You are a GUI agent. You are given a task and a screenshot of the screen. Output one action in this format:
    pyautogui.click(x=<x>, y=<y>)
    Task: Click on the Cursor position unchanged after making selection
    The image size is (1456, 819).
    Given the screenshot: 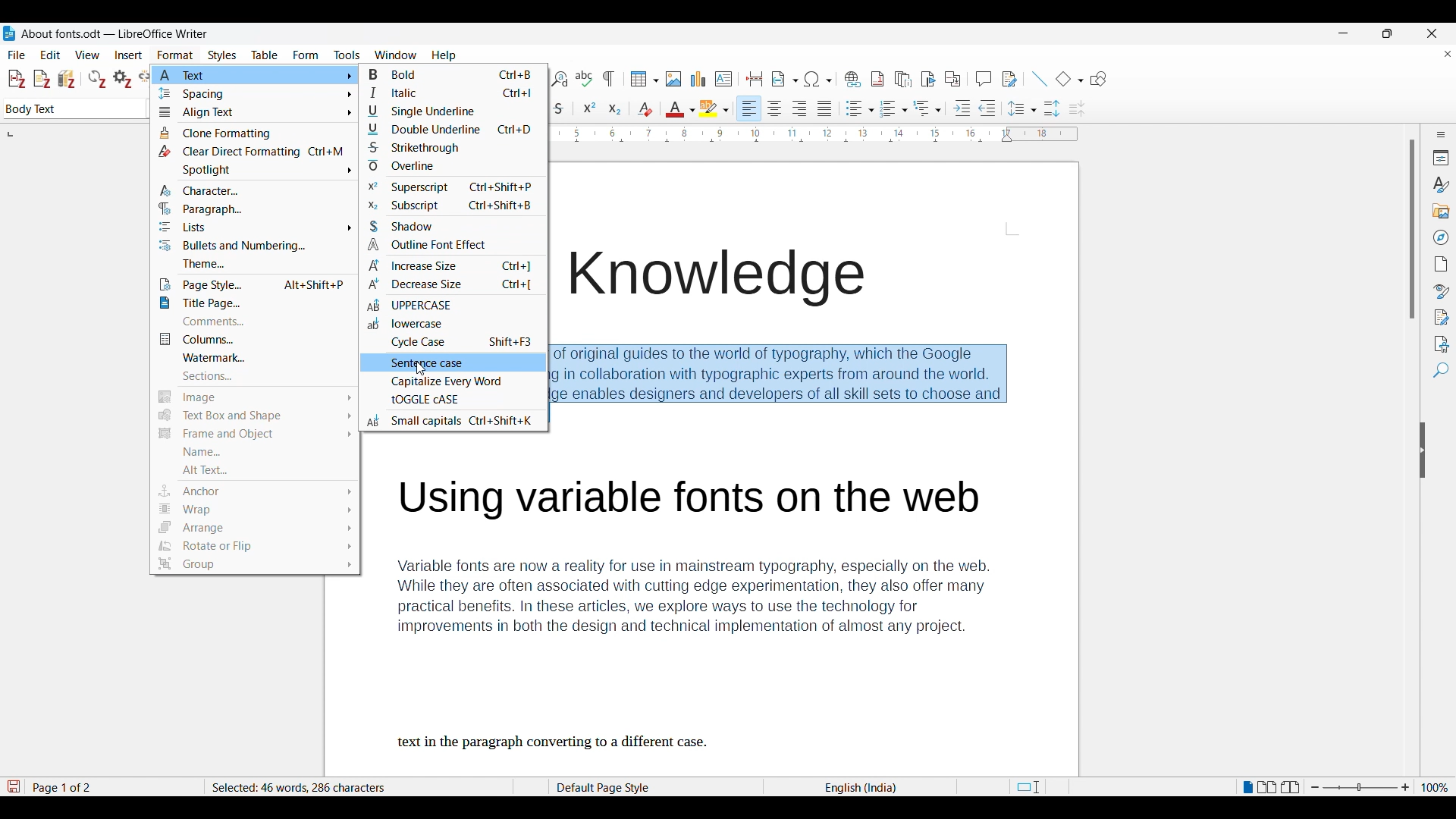 What is the action you would take?
    pyautogui.click(x=553, y=414)
    